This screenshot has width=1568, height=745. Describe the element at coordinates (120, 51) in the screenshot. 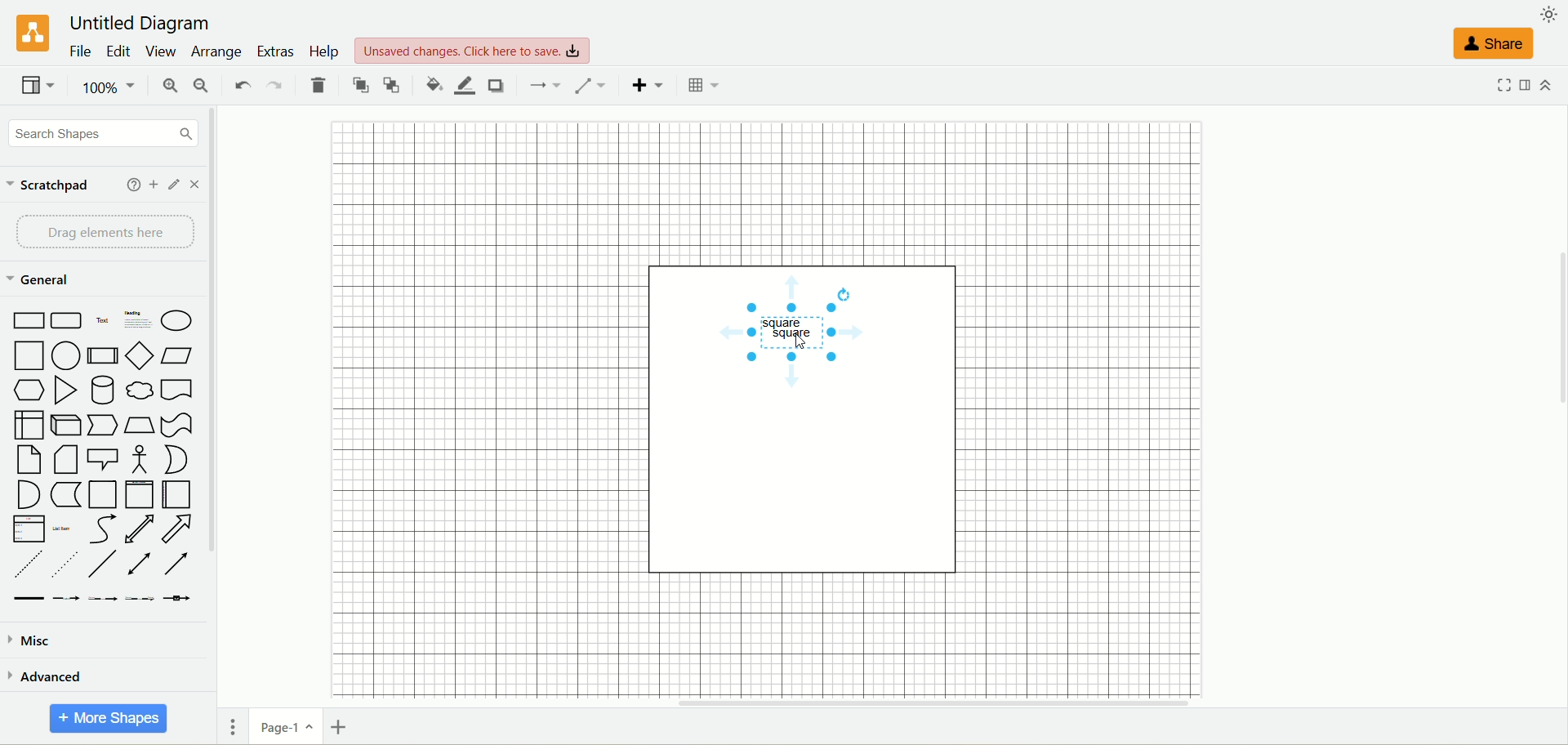

I see `edit` at that location.